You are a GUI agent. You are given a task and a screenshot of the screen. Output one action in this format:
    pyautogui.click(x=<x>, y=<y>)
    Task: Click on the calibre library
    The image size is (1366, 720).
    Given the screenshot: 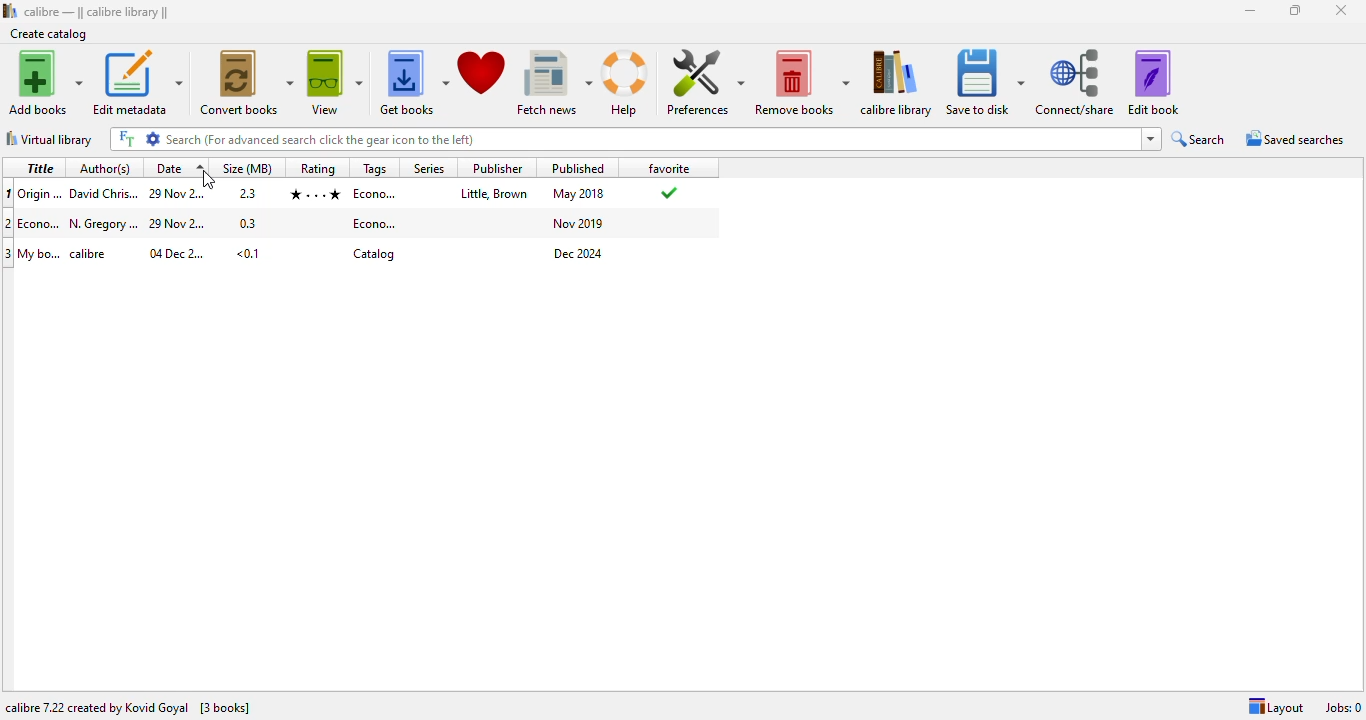 What is the action you would take?
    pyautogui.click(x=95, y=11)
    